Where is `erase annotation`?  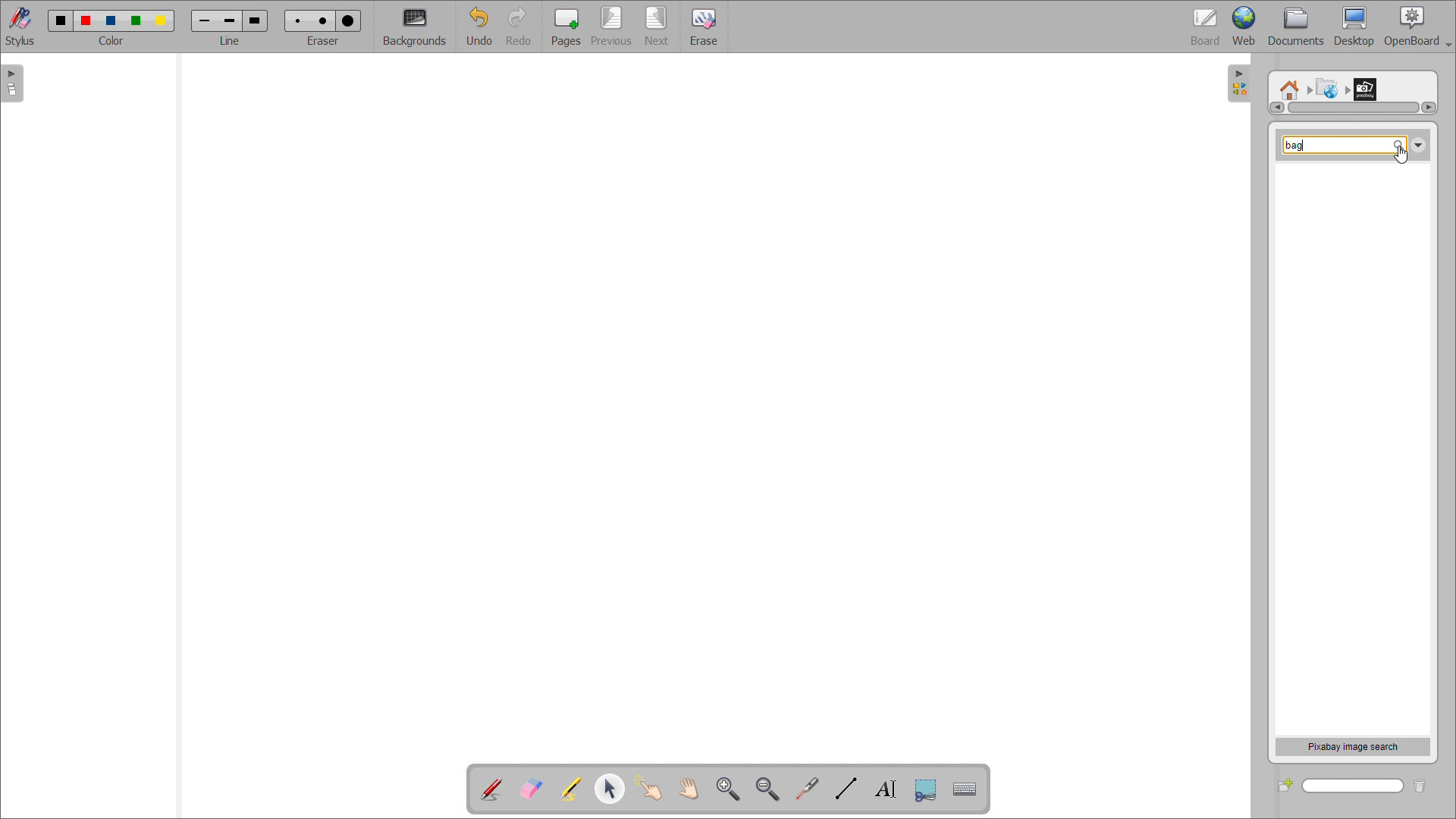
erase annotation is located at coordinates (532, 788).